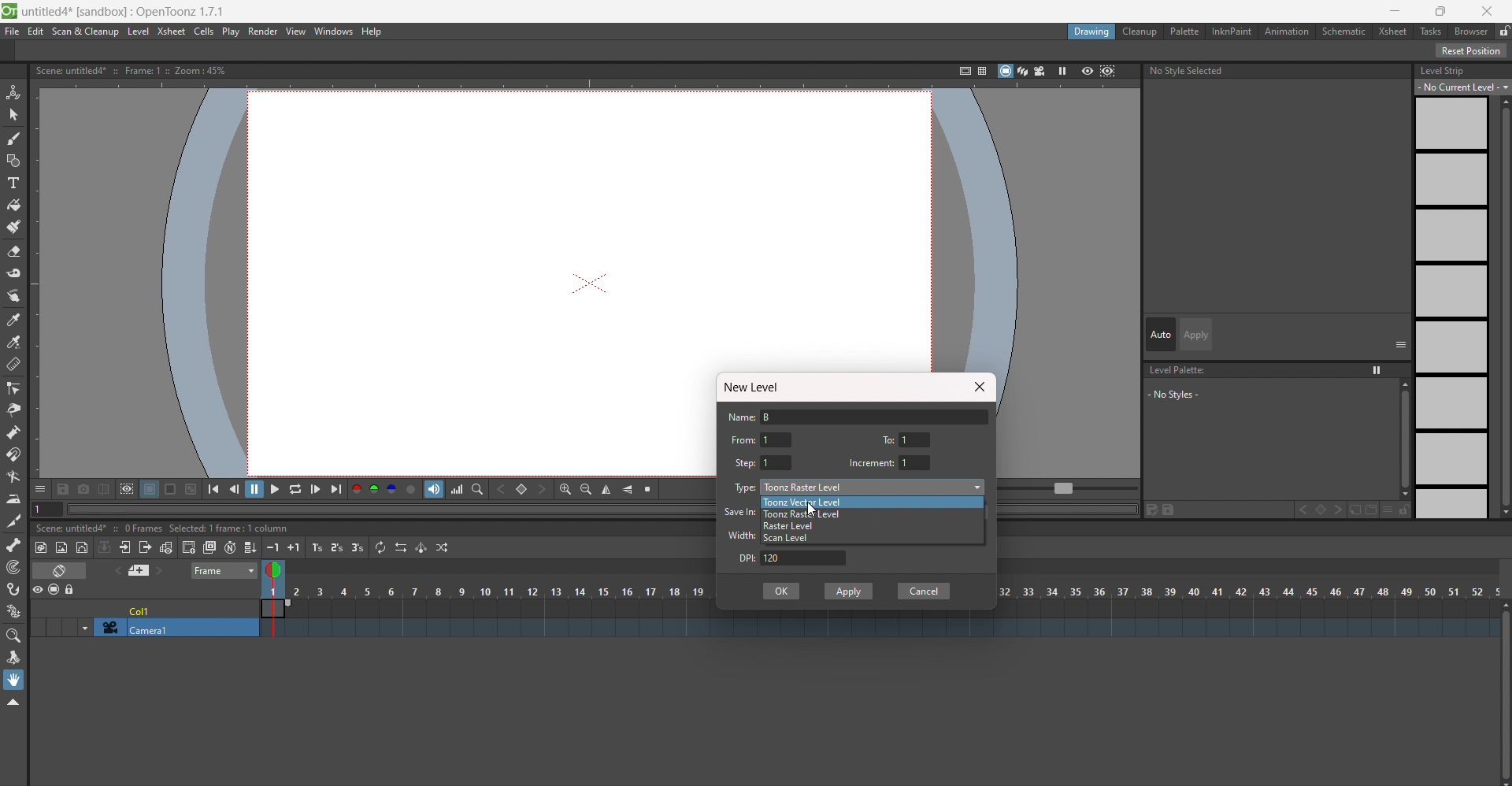 The image size is (1512, 786). What do you see at coordinates (806, 514) in the screenshot?
I see `toonz raster level` at bounding box center [806, 514].